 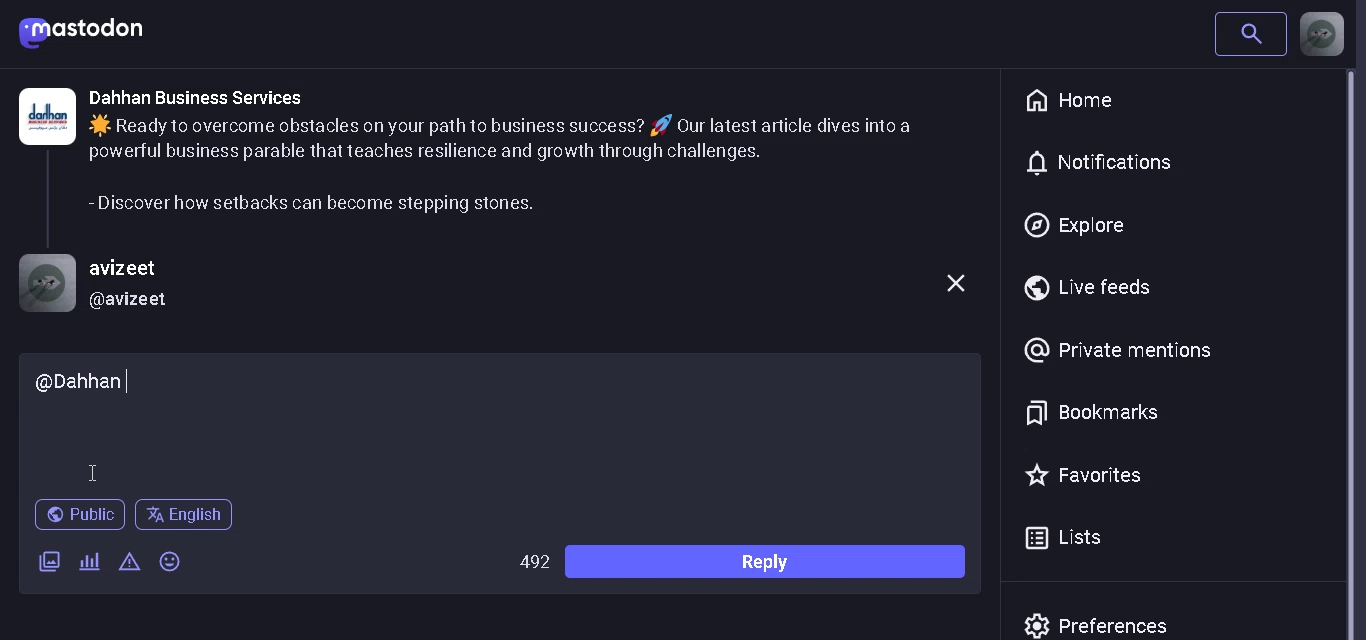 I want to click on private mentions, so click(x=1117, y=349).